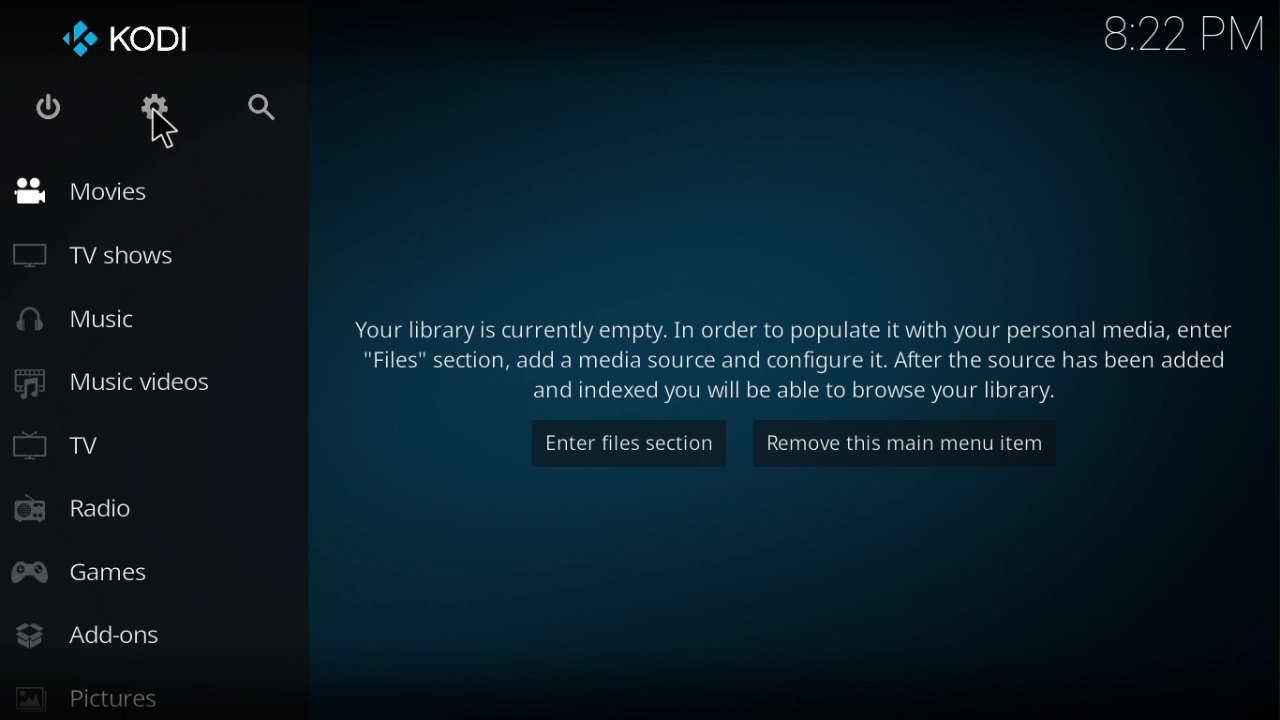  Describe the element at coordinates (123, 196) in the screenshot. I see `movies` at that location.